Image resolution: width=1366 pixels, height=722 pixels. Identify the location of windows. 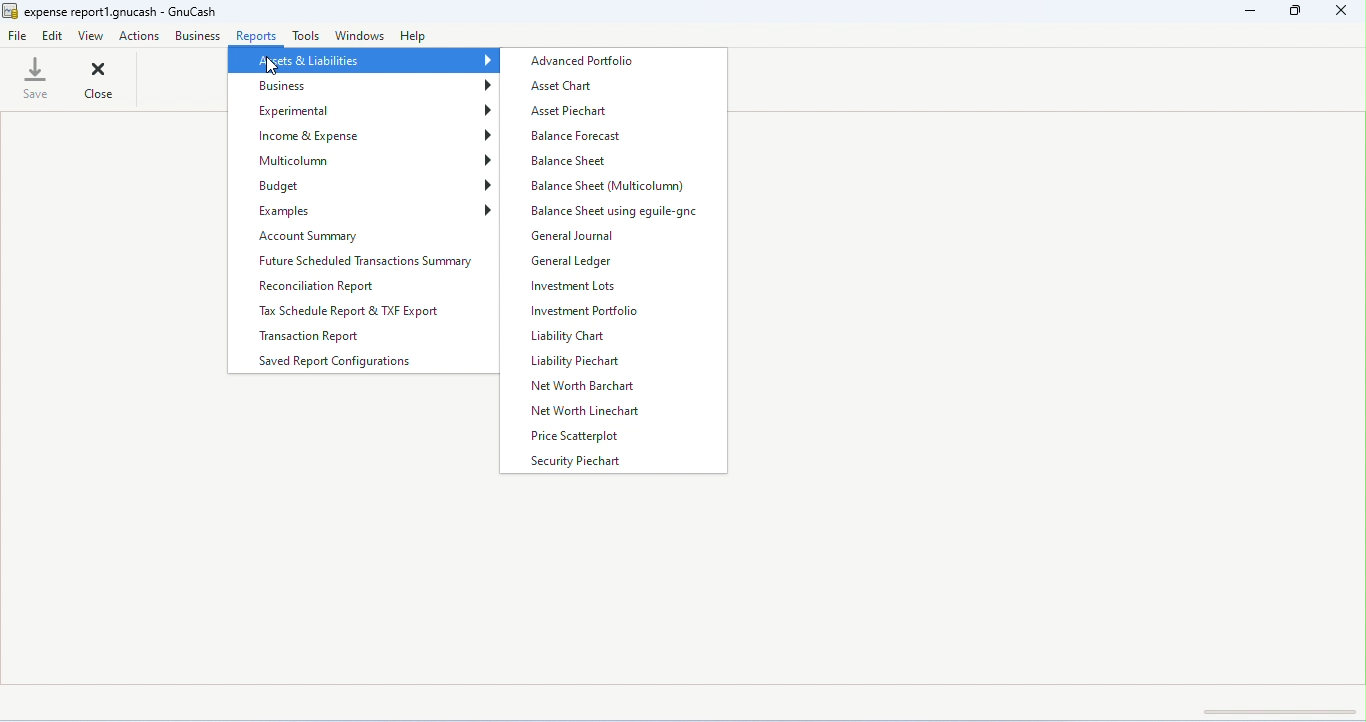
(360, 35).